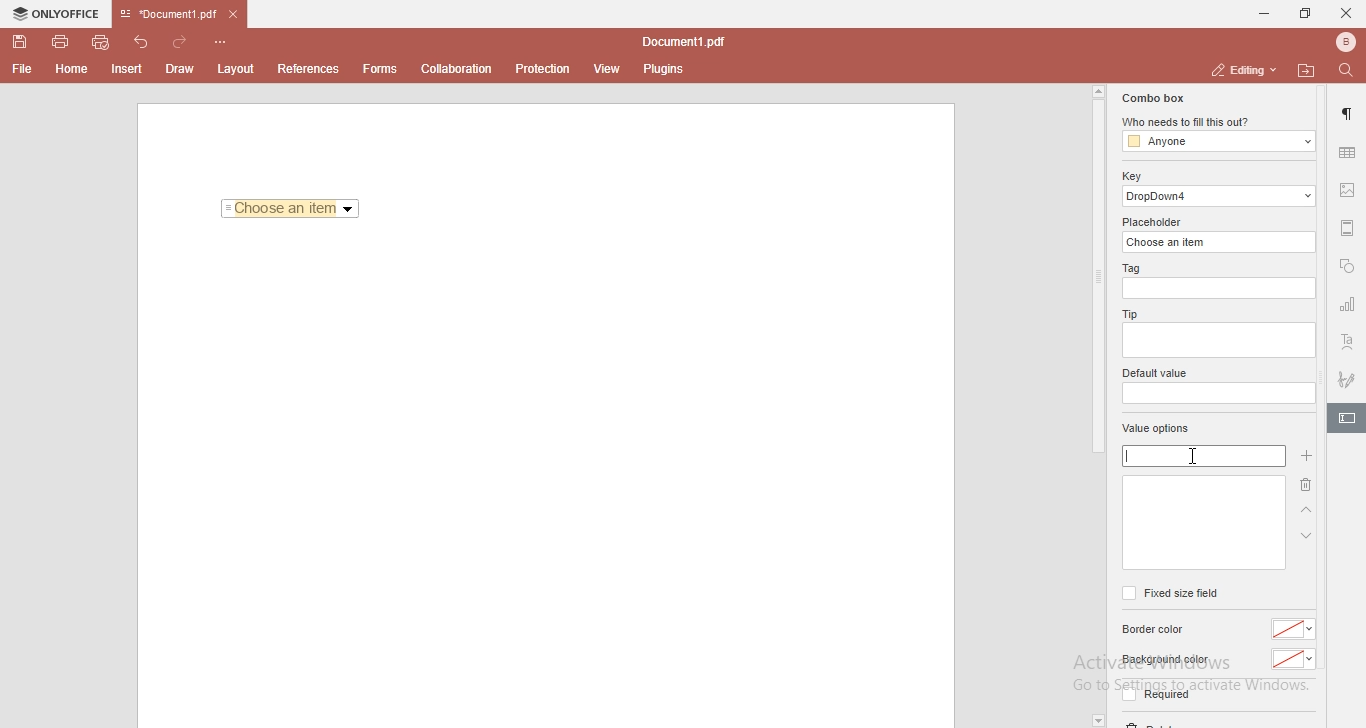 This screenshot has width=1366, height=728. I want to click on scroll bar, so click(1097, 270).